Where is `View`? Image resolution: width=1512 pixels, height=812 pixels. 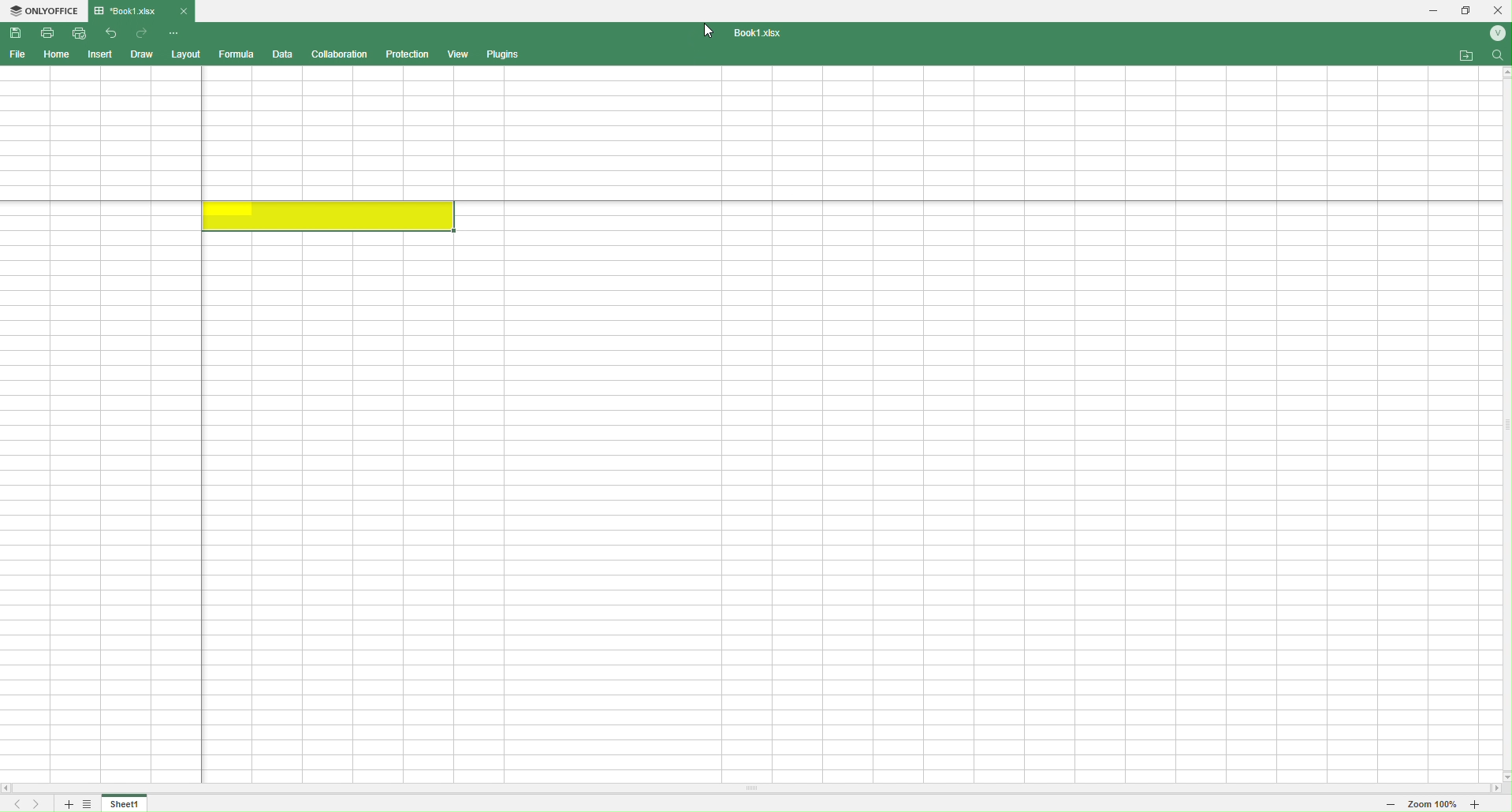 View is located at coordinates (458, 53).